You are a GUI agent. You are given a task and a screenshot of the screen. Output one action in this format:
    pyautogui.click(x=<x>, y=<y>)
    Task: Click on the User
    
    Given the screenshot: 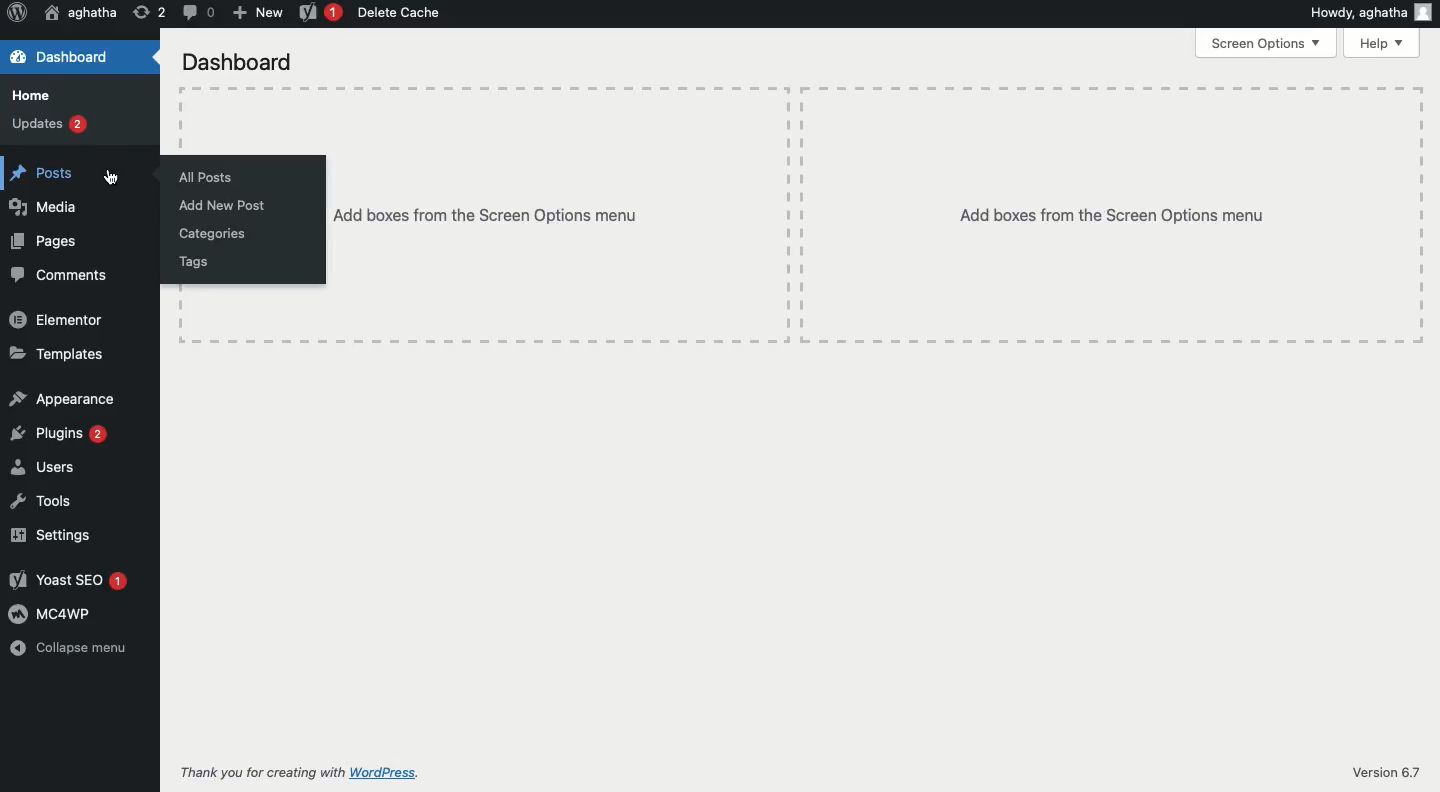 What is the action you would take?
    pyautogui.click(x=79, y=14)
    